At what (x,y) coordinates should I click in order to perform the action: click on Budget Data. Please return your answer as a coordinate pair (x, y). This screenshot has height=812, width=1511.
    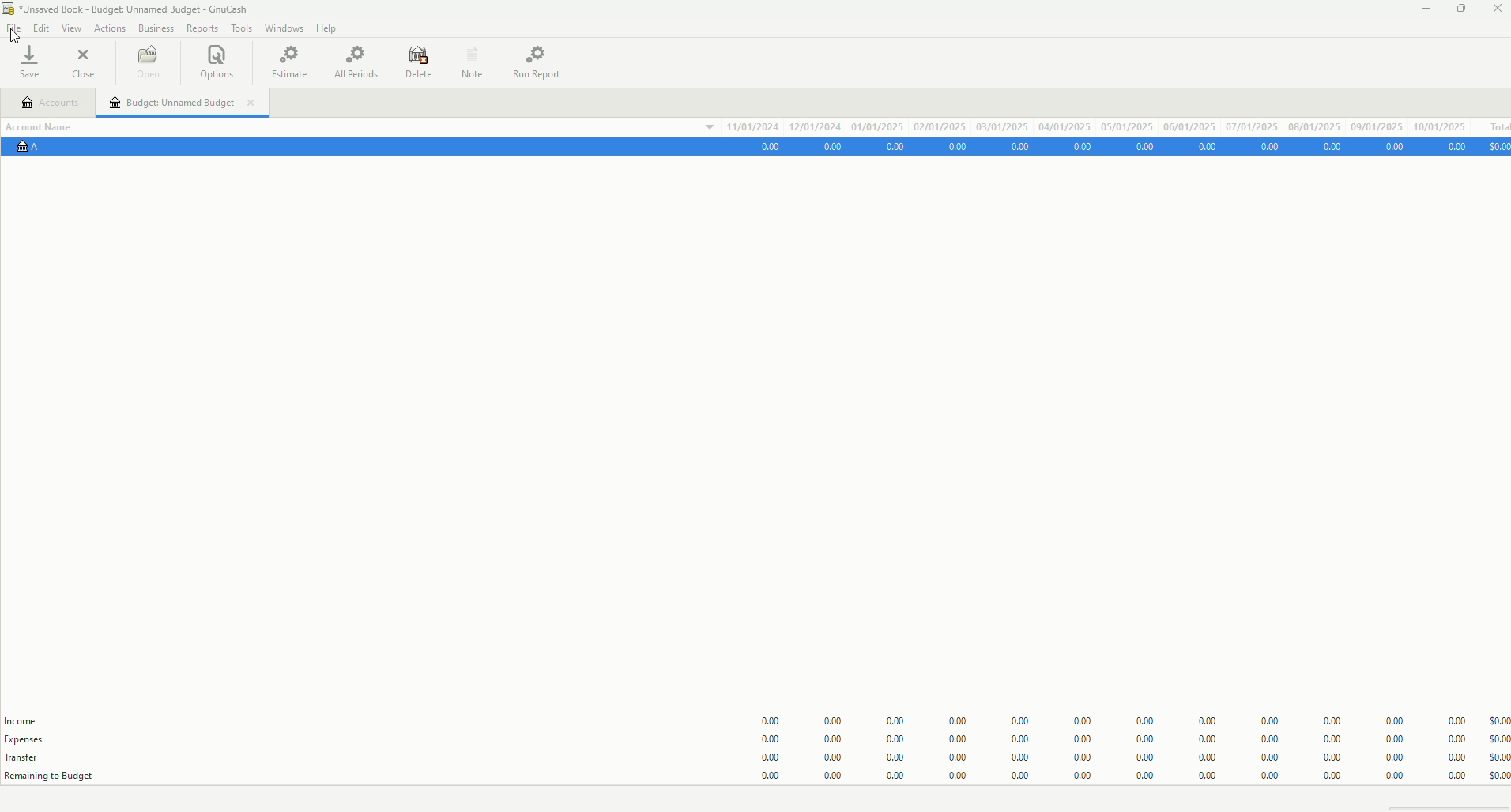
    Looking at the image, I should click on (1121, 738).